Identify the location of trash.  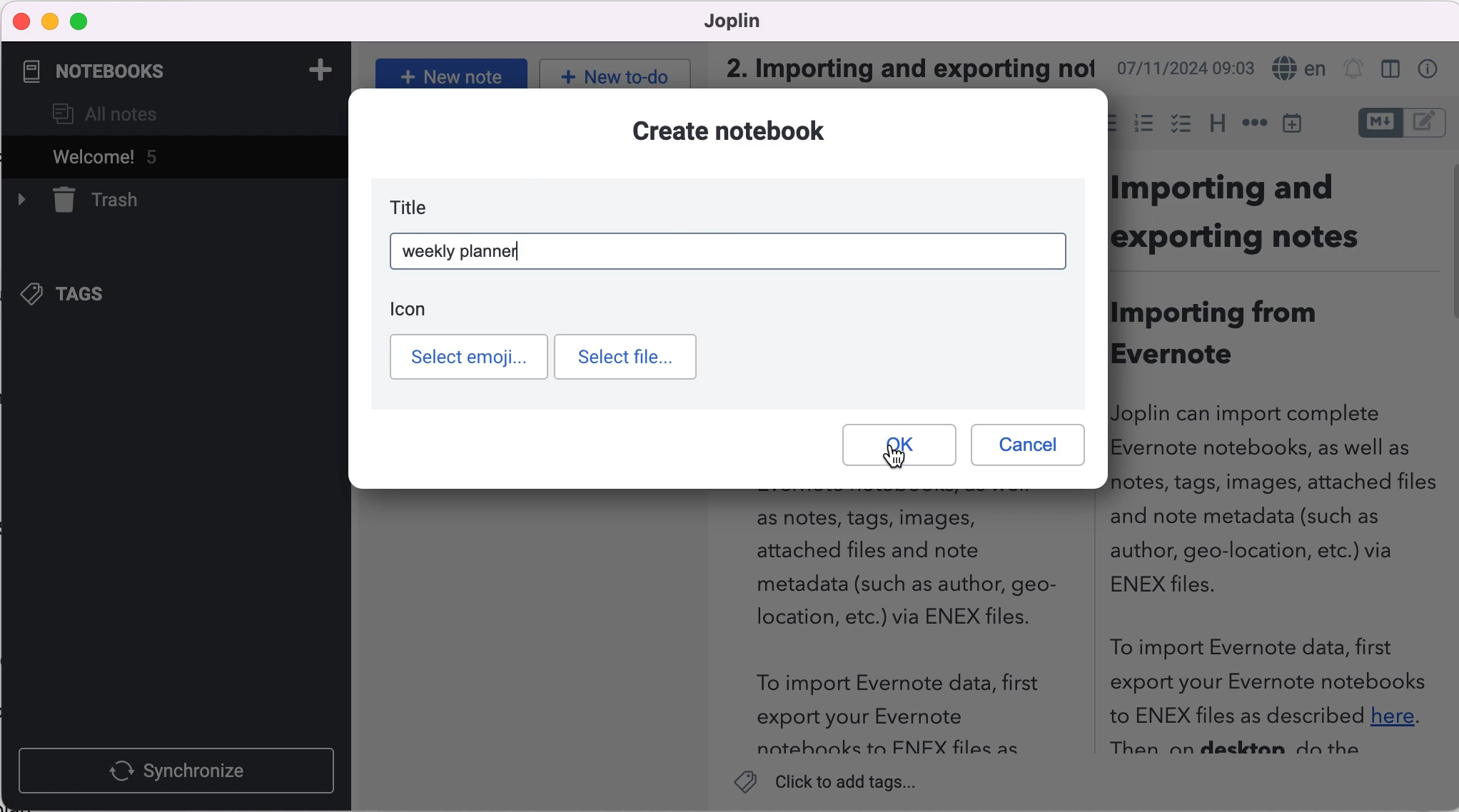
(101, 201).